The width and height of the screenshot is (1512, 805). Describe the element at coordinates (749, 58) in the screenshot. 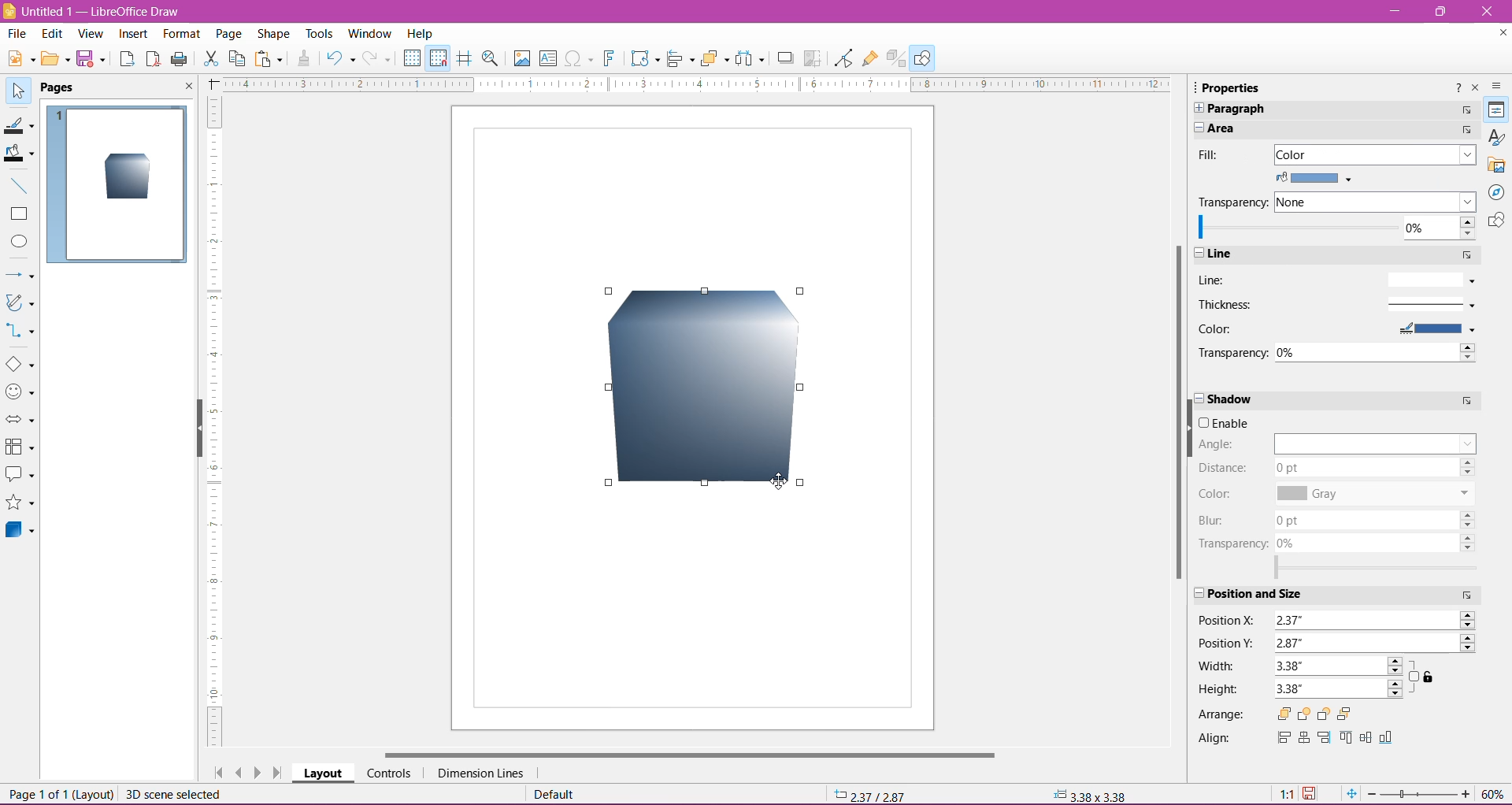

I see `Select atleast three objects to distribute` at that location.